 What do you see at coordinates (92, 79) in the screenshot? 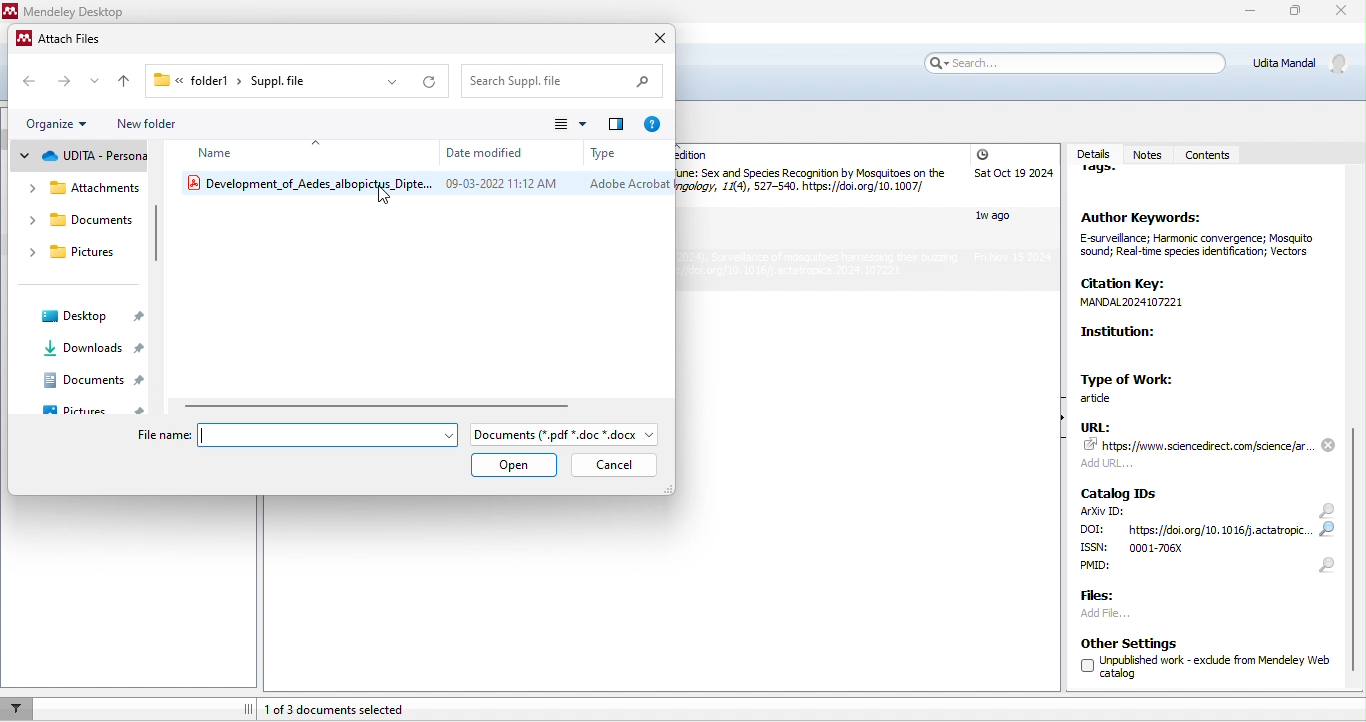
I see `drop down` at bounding box center [92, 79].